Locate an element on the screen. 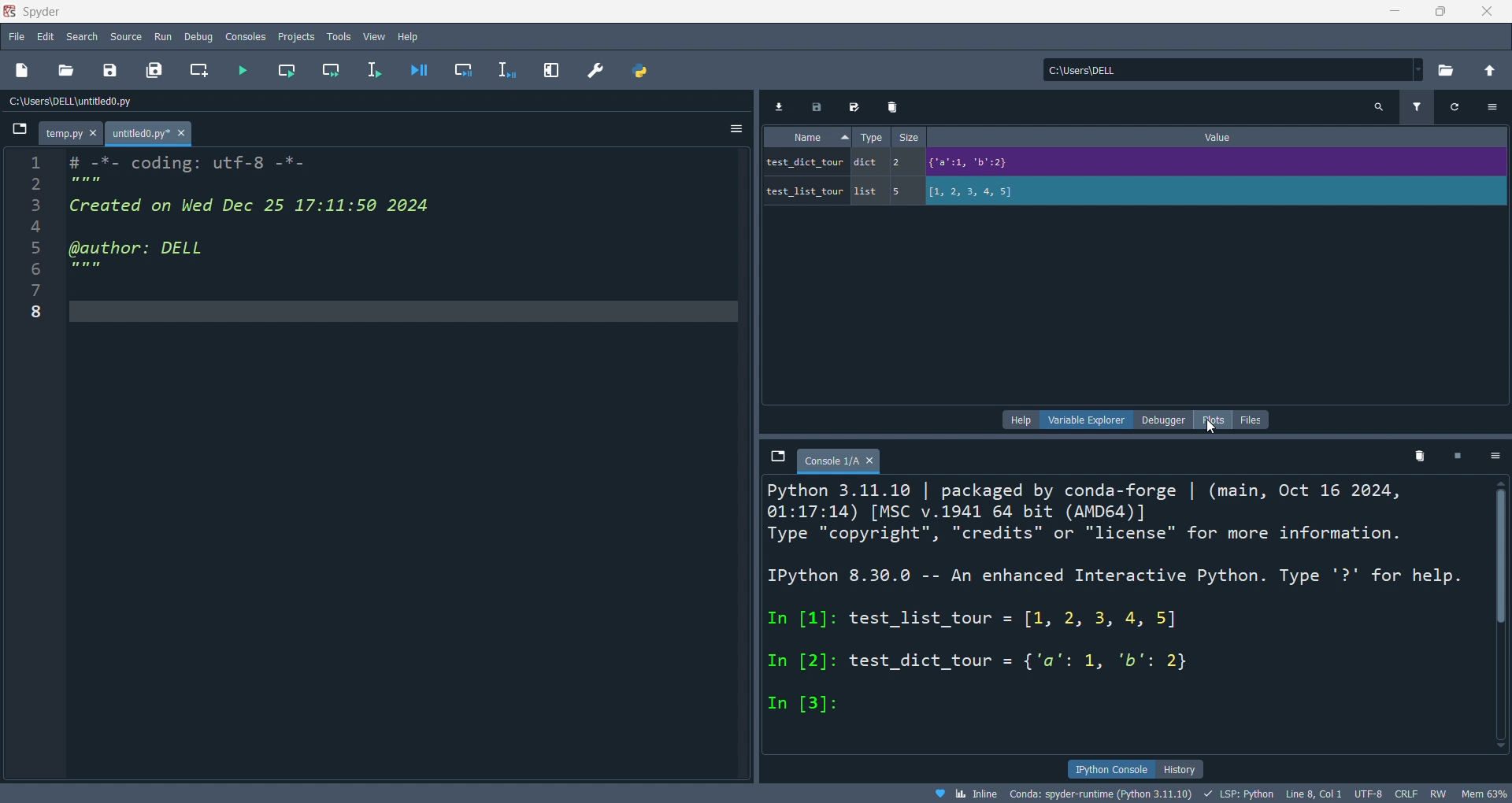 This screenshot has width=1512, height=803. expand pane is located at coordinates (552, 71).